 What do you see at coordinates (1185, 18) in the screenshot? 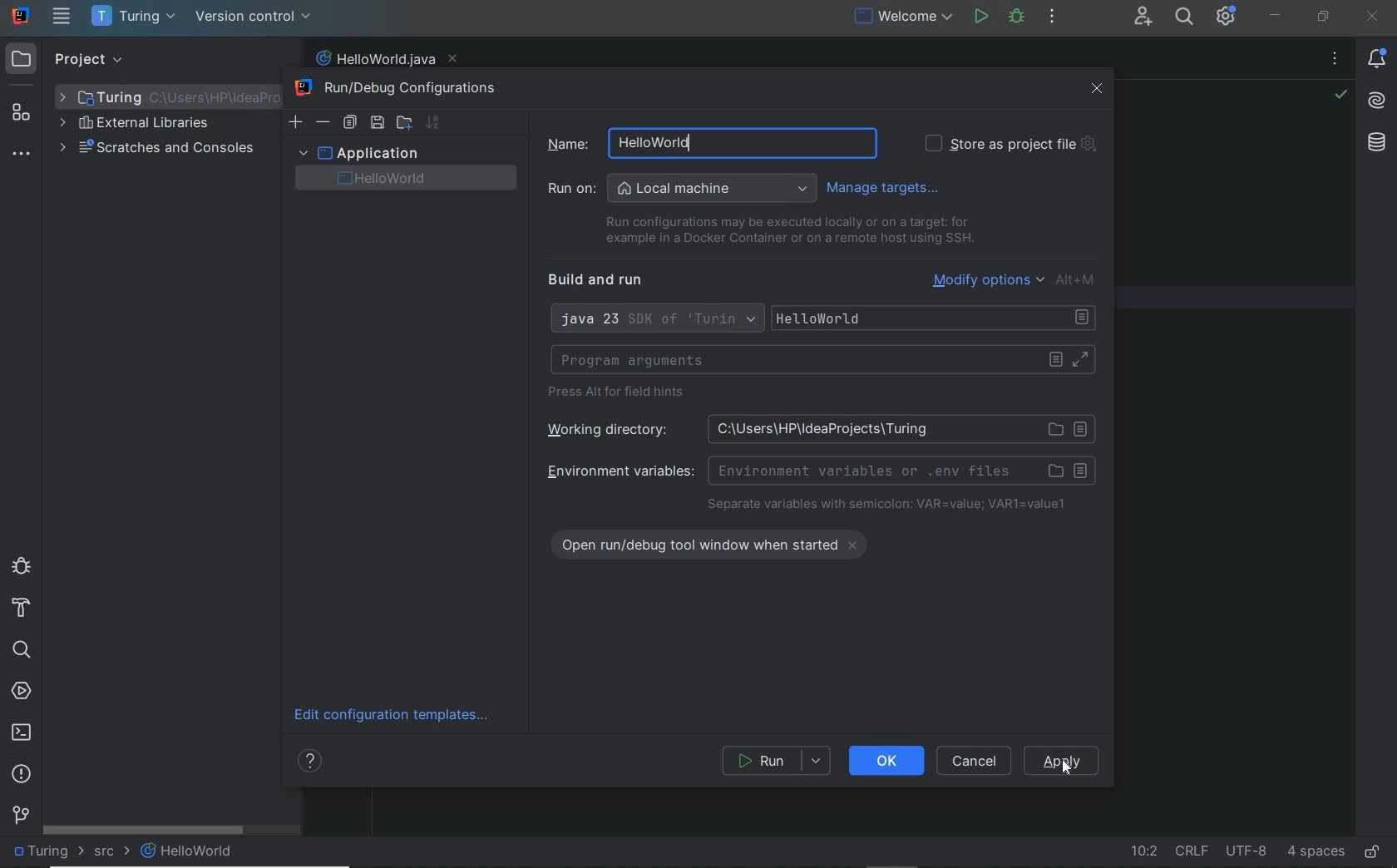
I see `search everywhere` at bounding box center [1185, 18].